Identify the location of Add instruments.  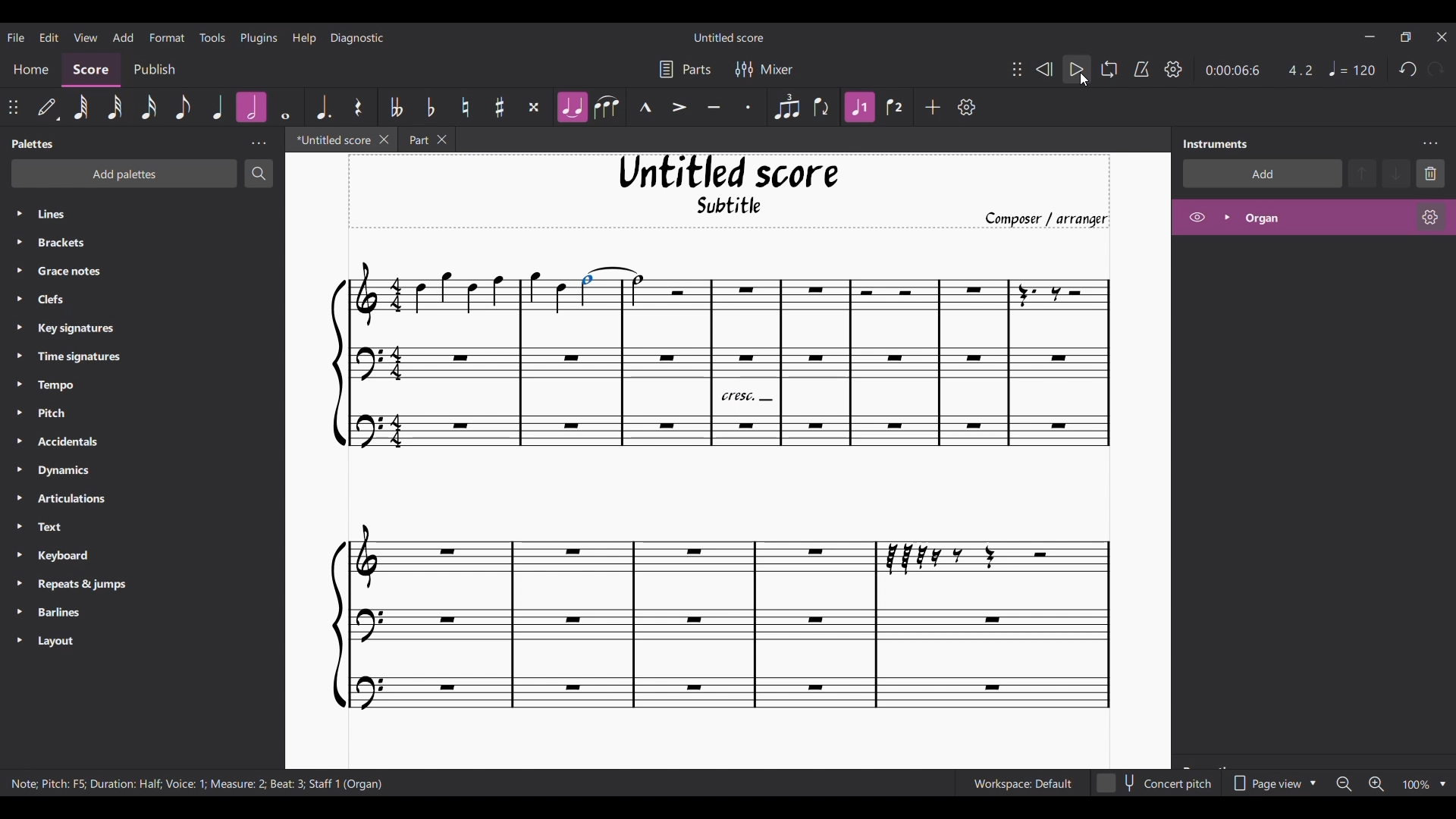
(1261, 174).